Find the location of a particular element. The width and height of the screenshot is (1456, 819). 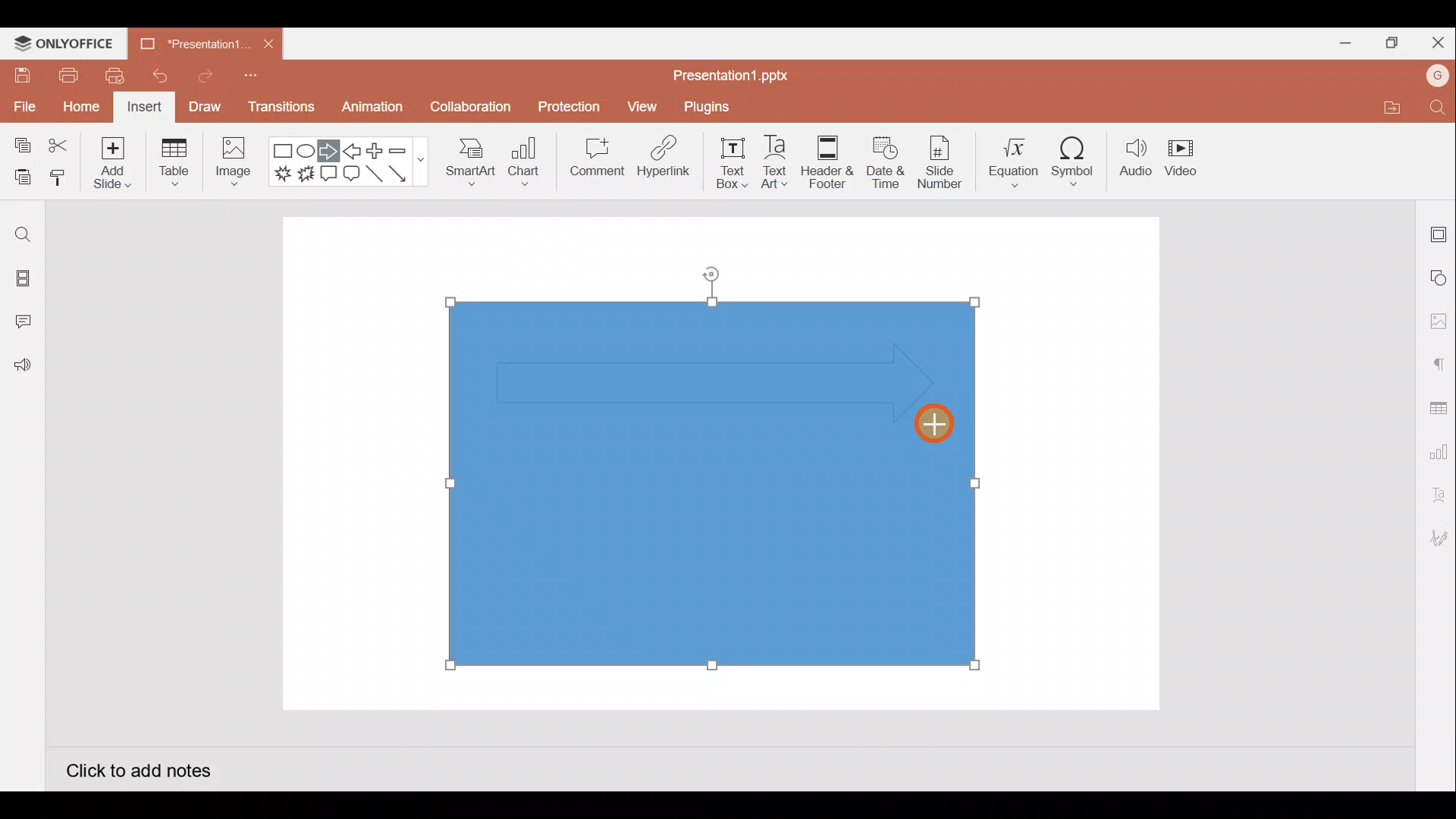

Minimize is located at coordinates (1339, 40).